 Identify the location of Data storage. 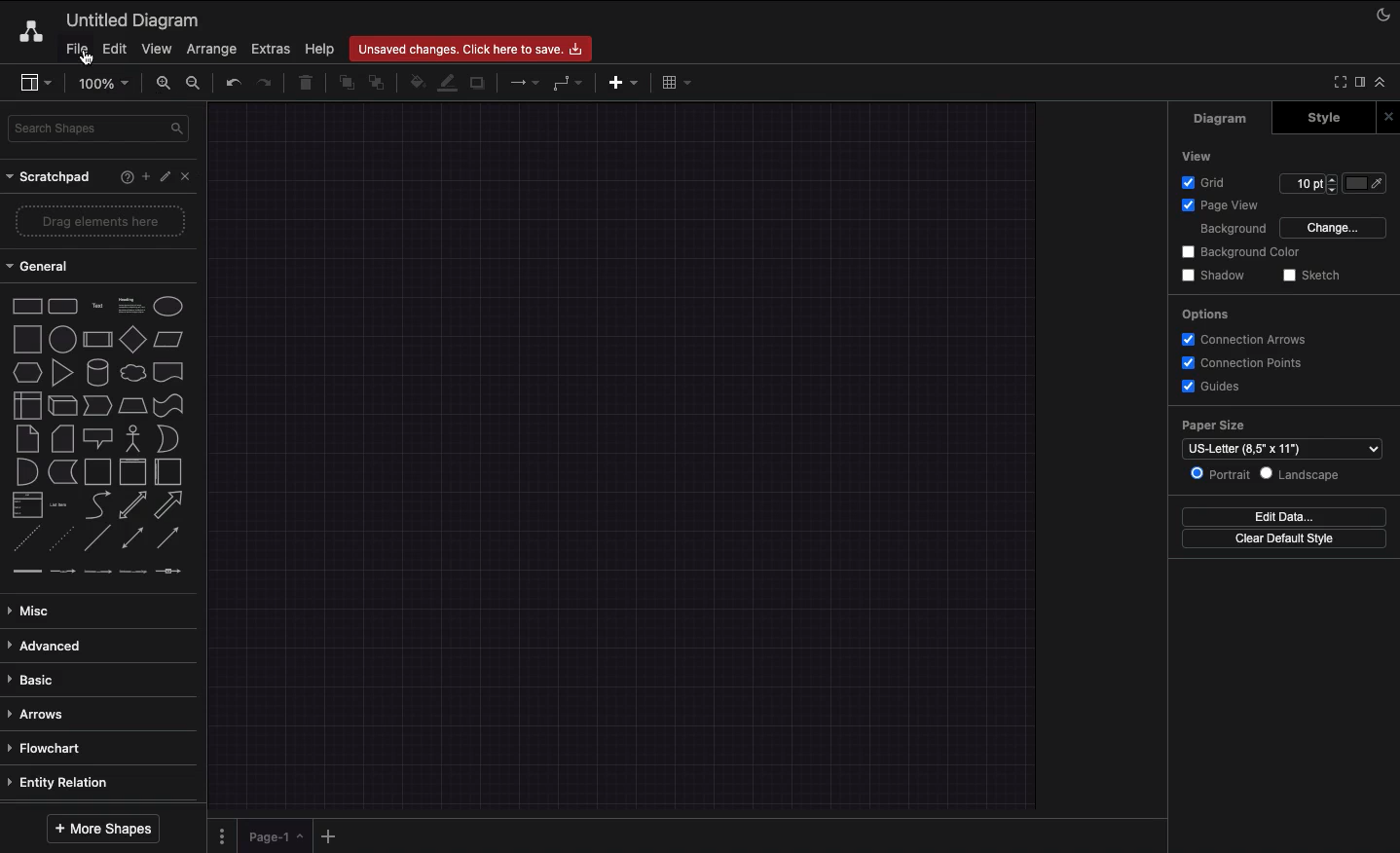
(62, 473).